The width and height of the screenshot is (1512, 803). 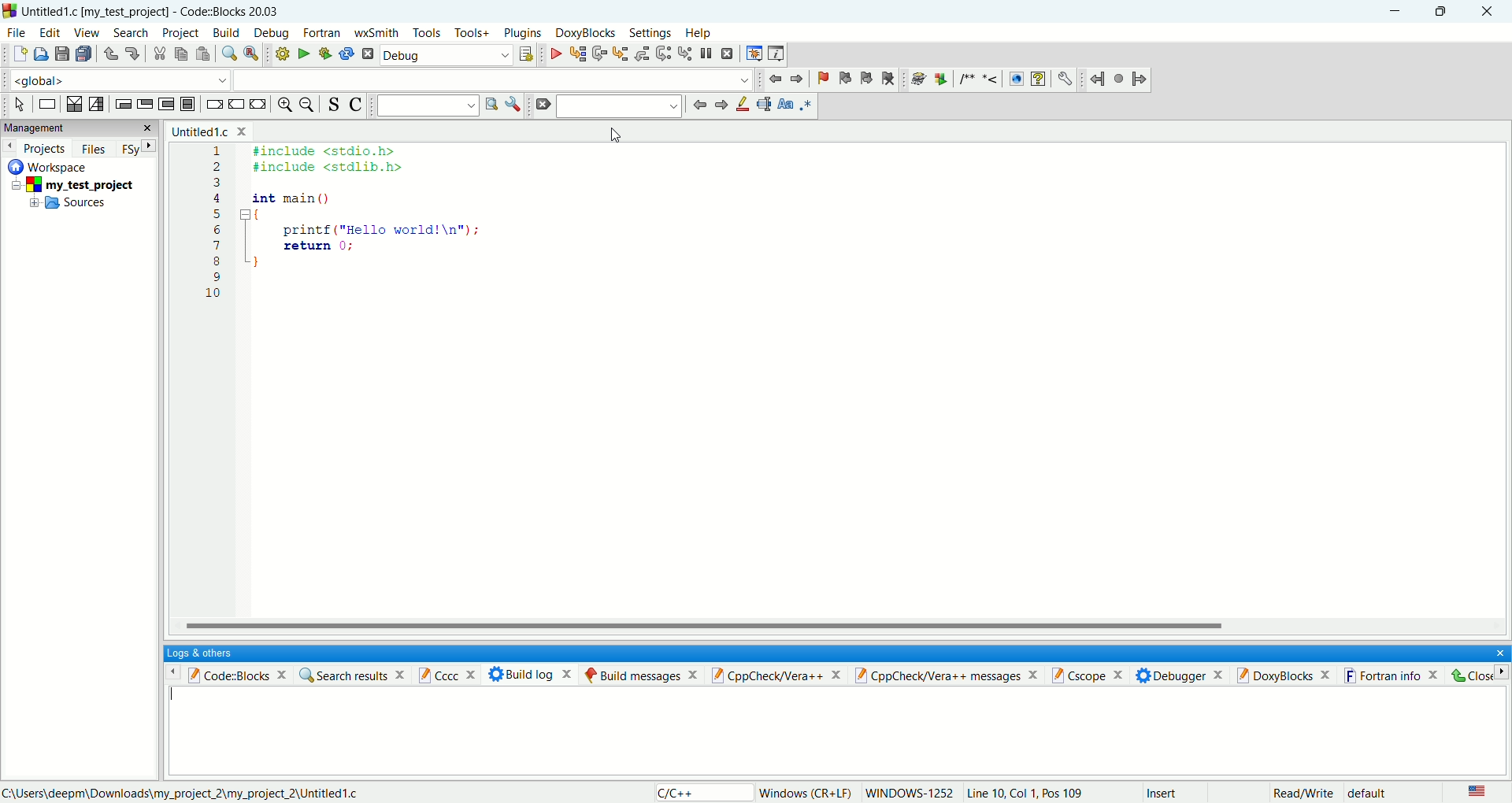 I want to click on Projects, so click(x=35, y=146).